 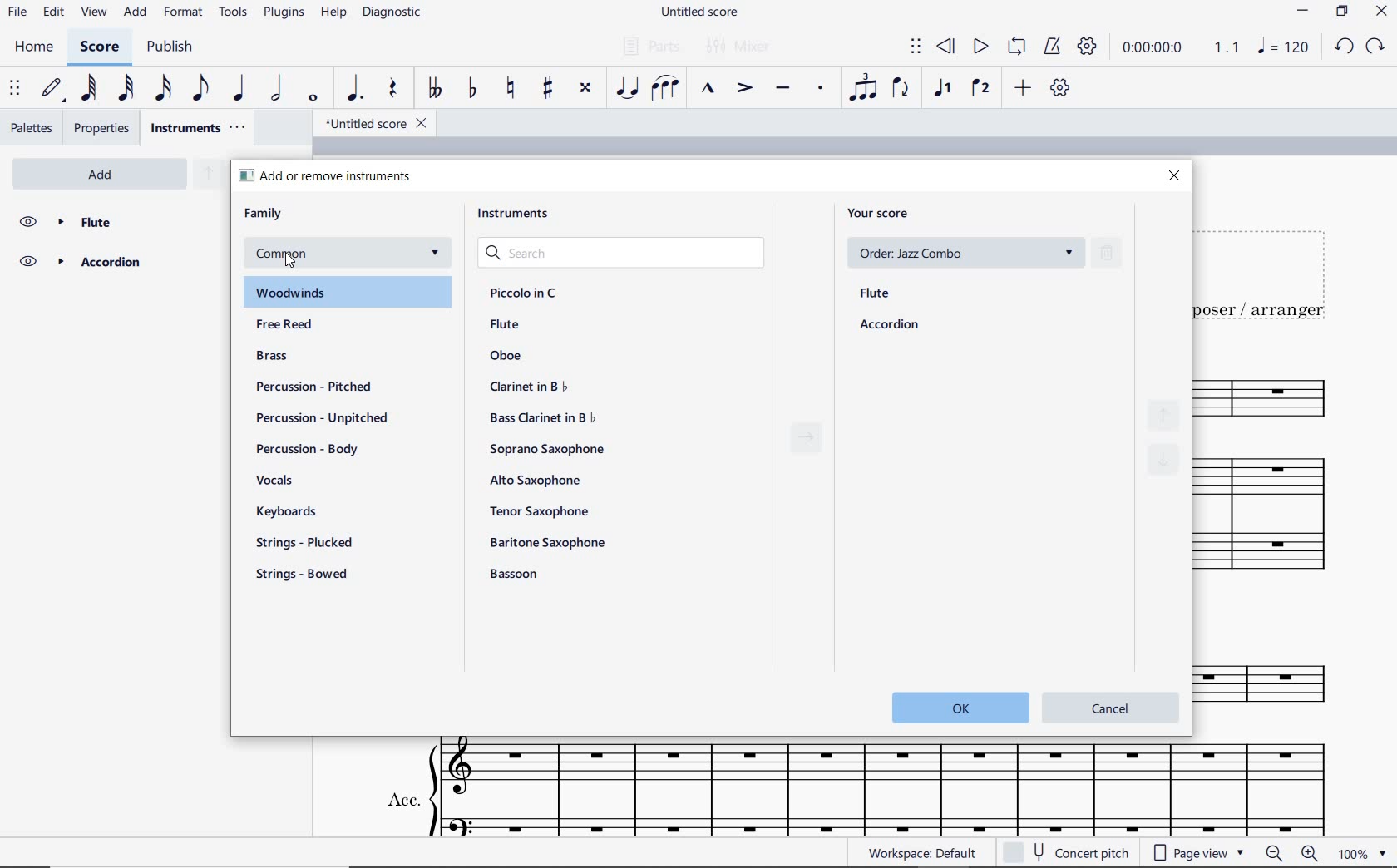 What do you see at coordinates (510, 214) in the screenshot?
I see `instruments` at bounding box center [510, 214].